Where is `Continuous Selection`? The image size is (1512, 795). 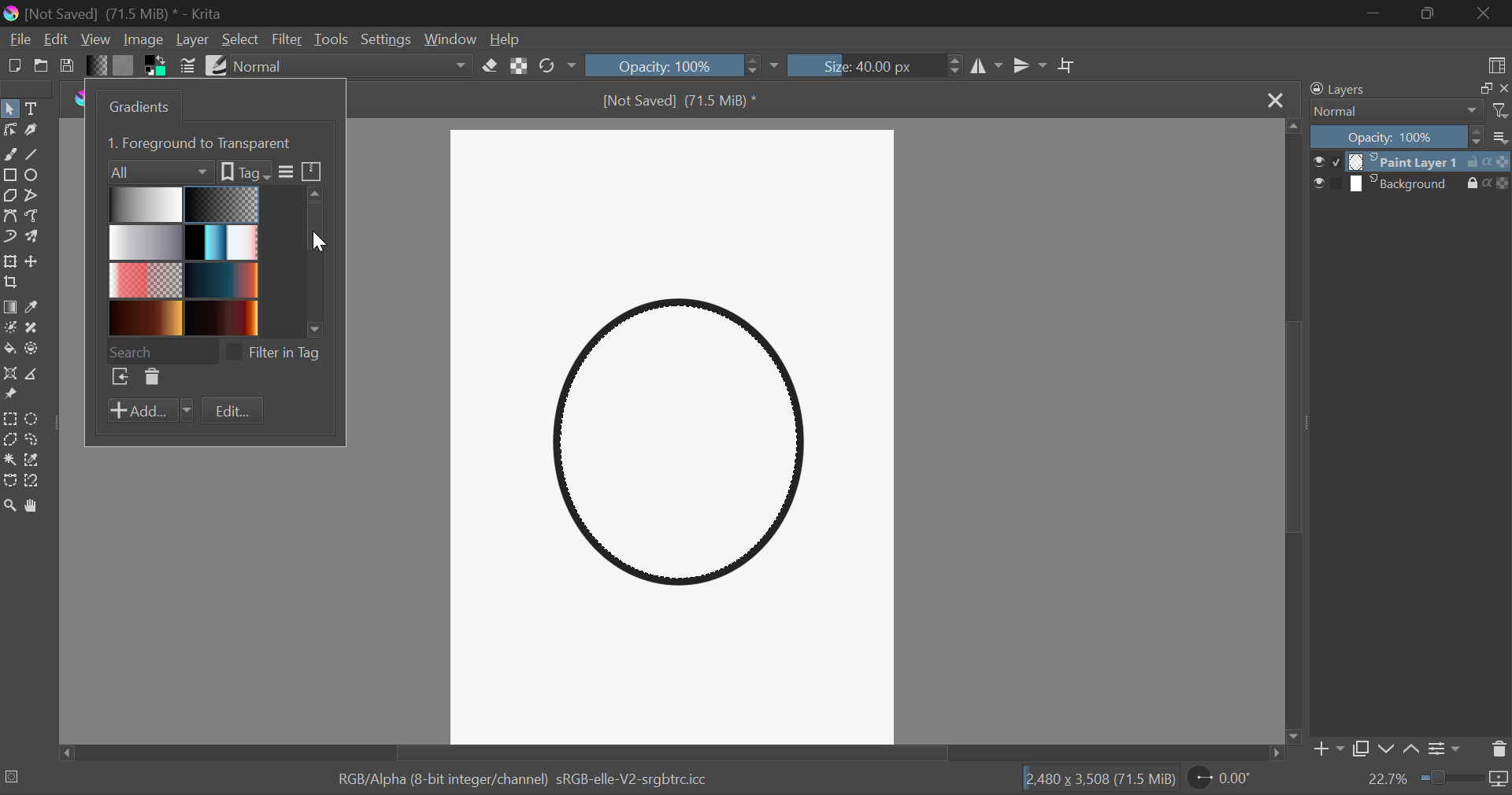 Continuous Selection is located at coordinates (11, 459).